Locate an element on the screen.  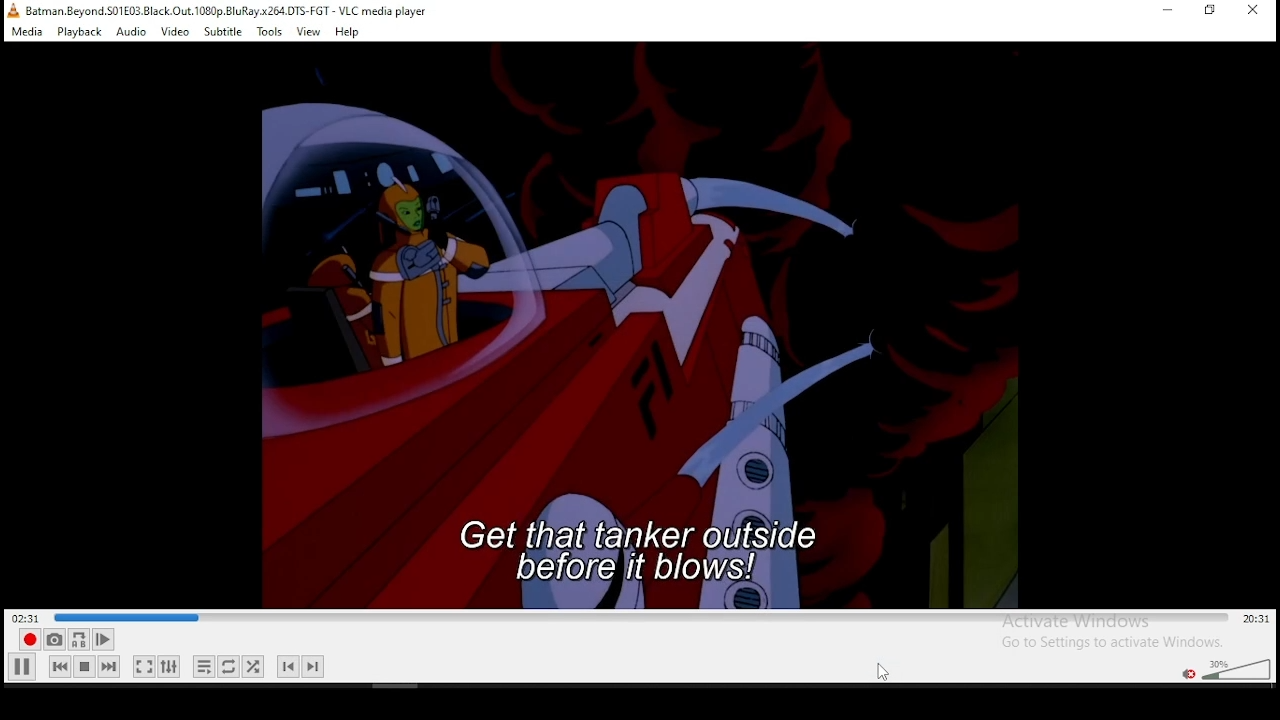
next chapter is located at coordinates (313, 667).